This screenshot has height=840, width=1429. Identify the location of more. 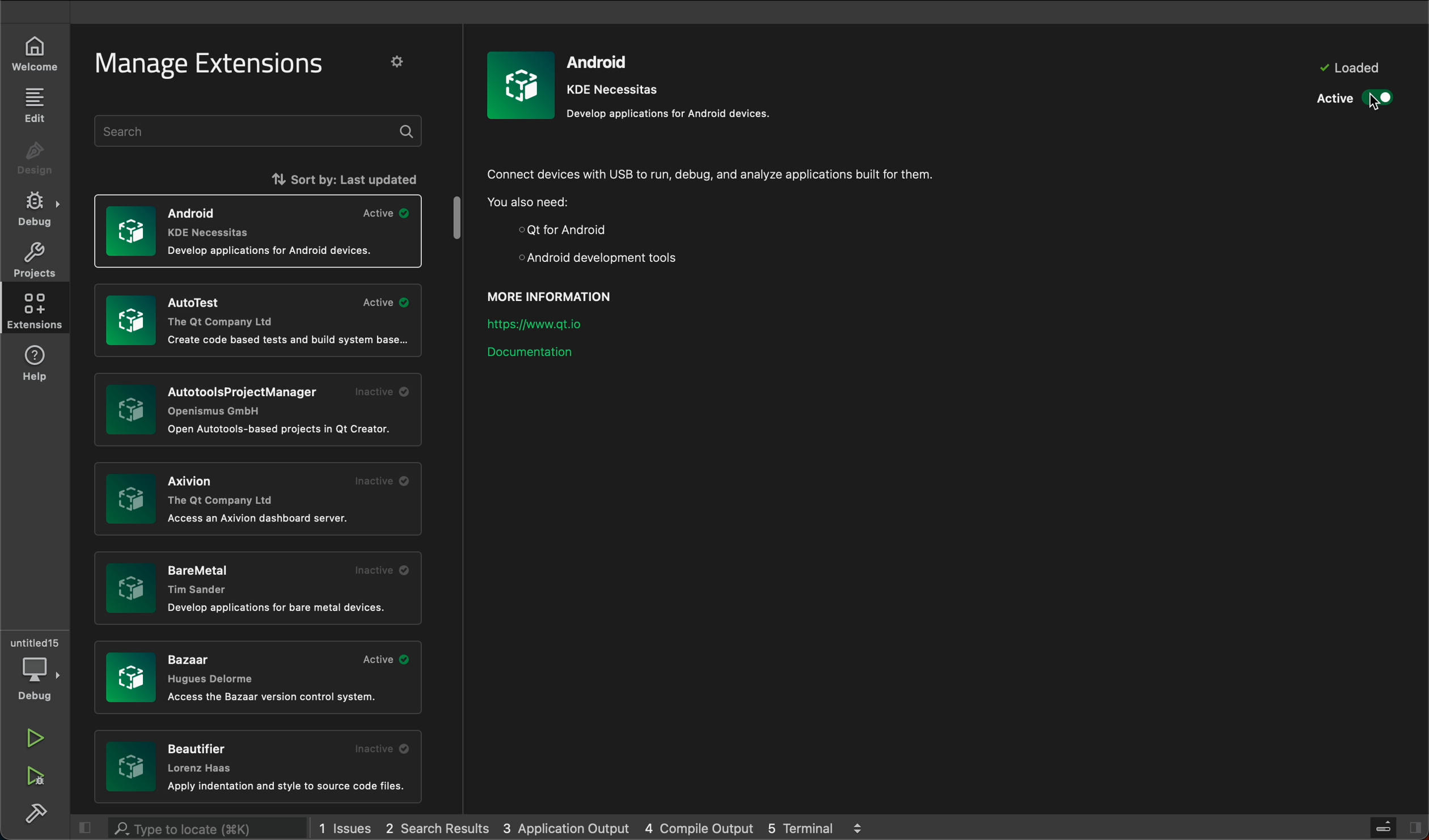
(858, 826).